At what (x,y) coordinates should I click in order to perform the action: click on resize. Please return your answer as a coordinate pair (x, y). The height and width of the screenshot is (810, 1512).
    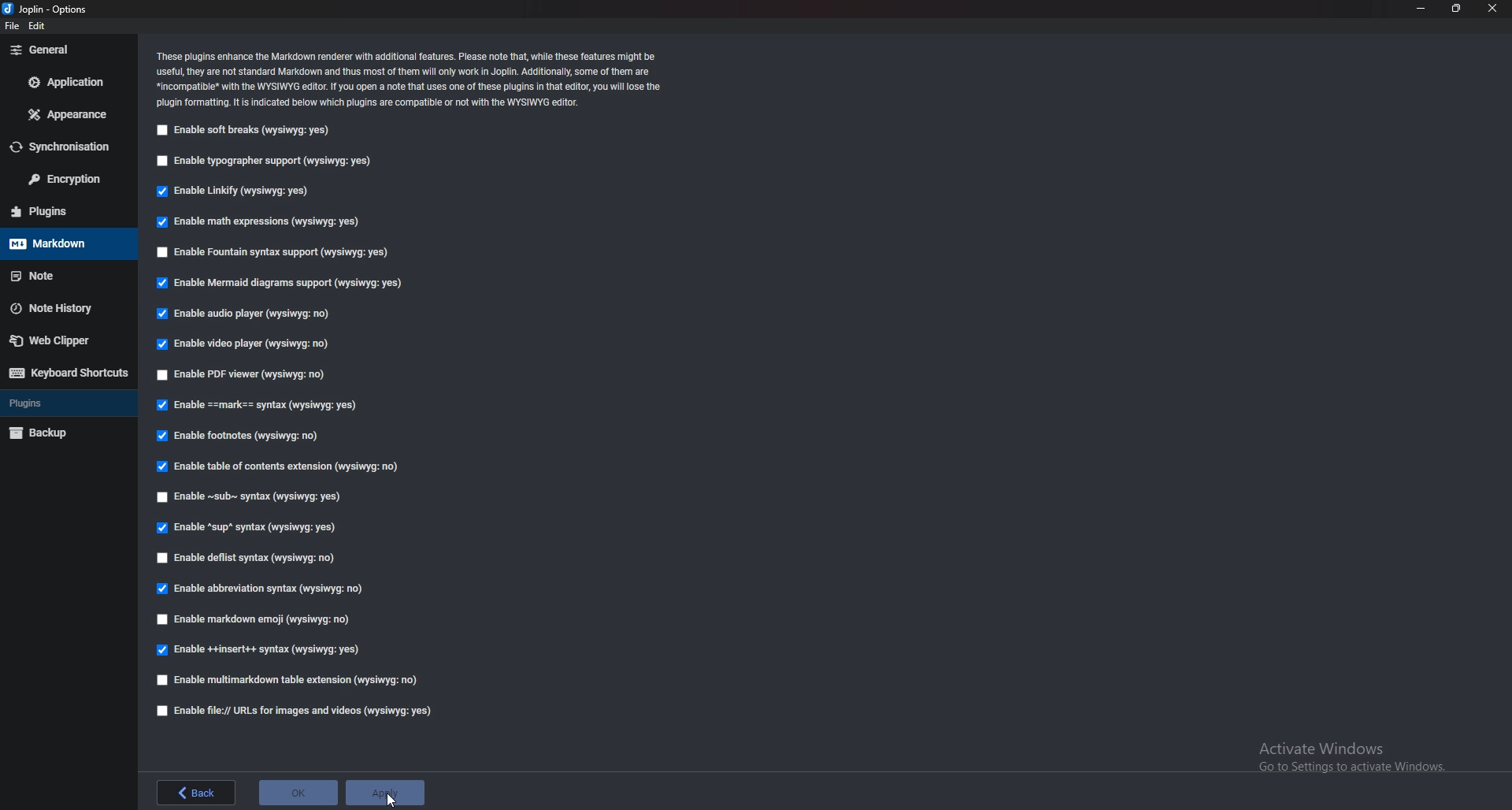
    Looking at the image, I should click on (1456, 9).